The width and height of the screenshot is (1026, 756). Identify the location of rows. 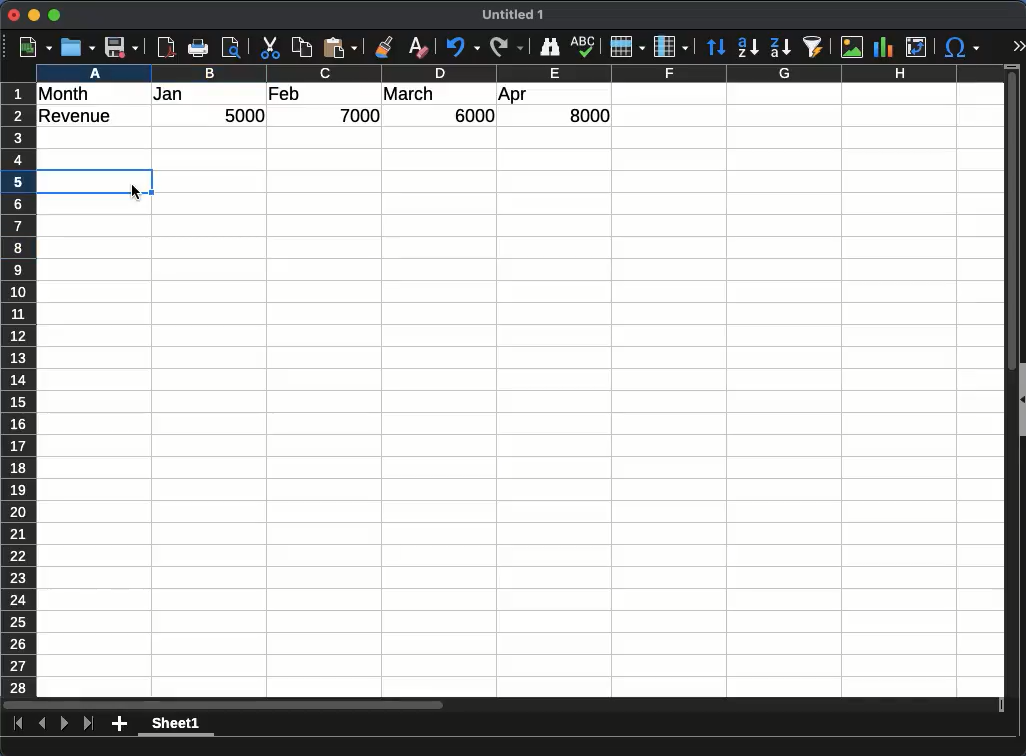
(18, 390).